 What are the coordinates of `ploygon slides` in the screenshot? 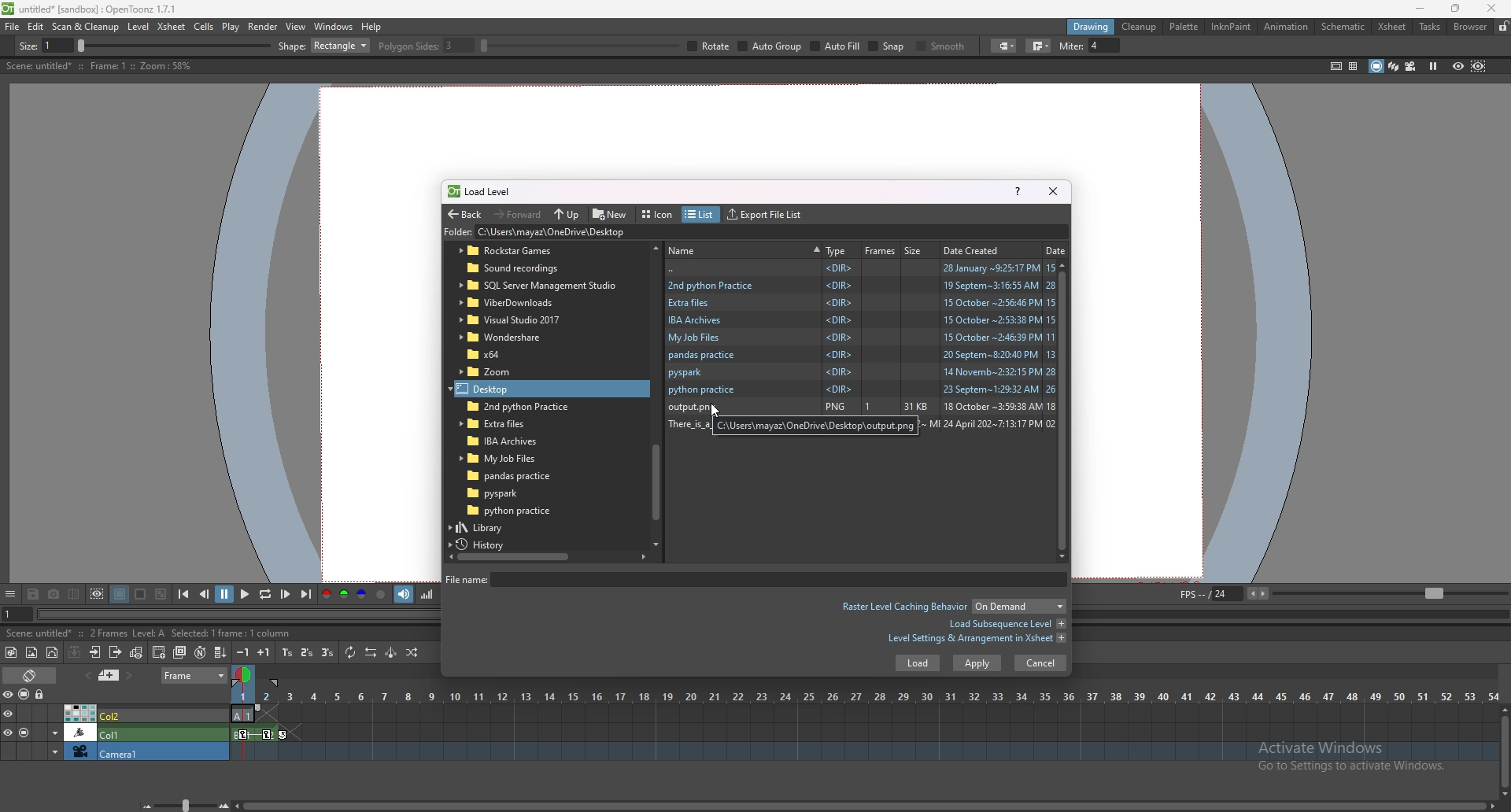 It's located at (742, 46).